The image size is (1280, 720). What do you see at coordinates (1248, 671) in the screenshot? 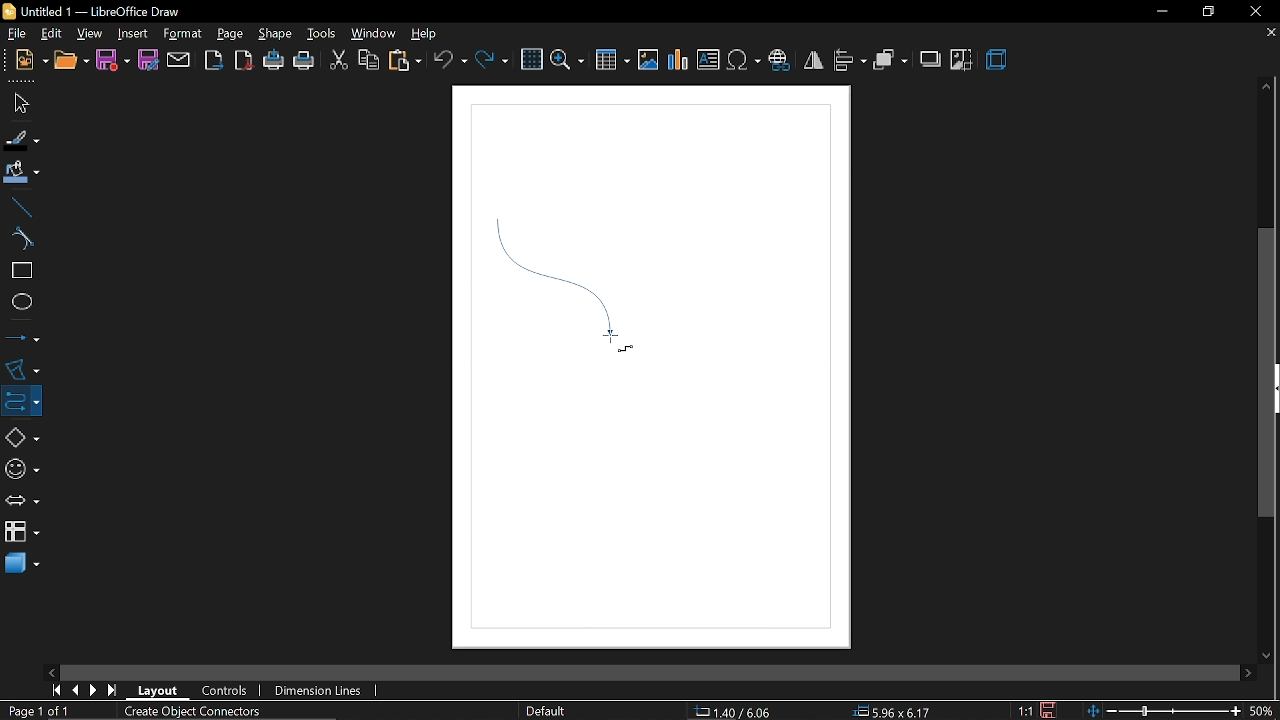
I see `move right` at bounding box center [1248, 671].